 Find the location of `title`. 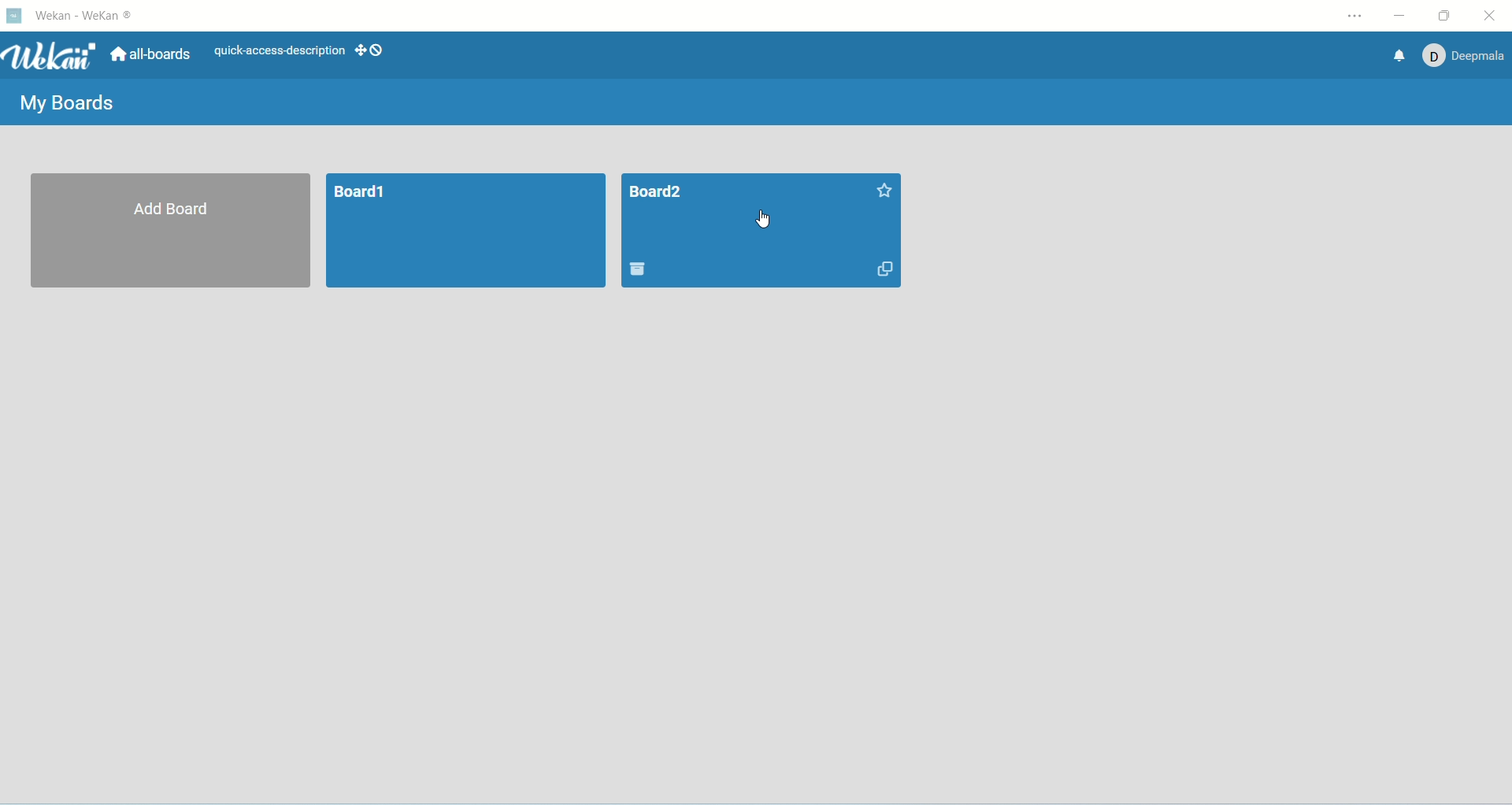

title is located at coordinates (88, 17).